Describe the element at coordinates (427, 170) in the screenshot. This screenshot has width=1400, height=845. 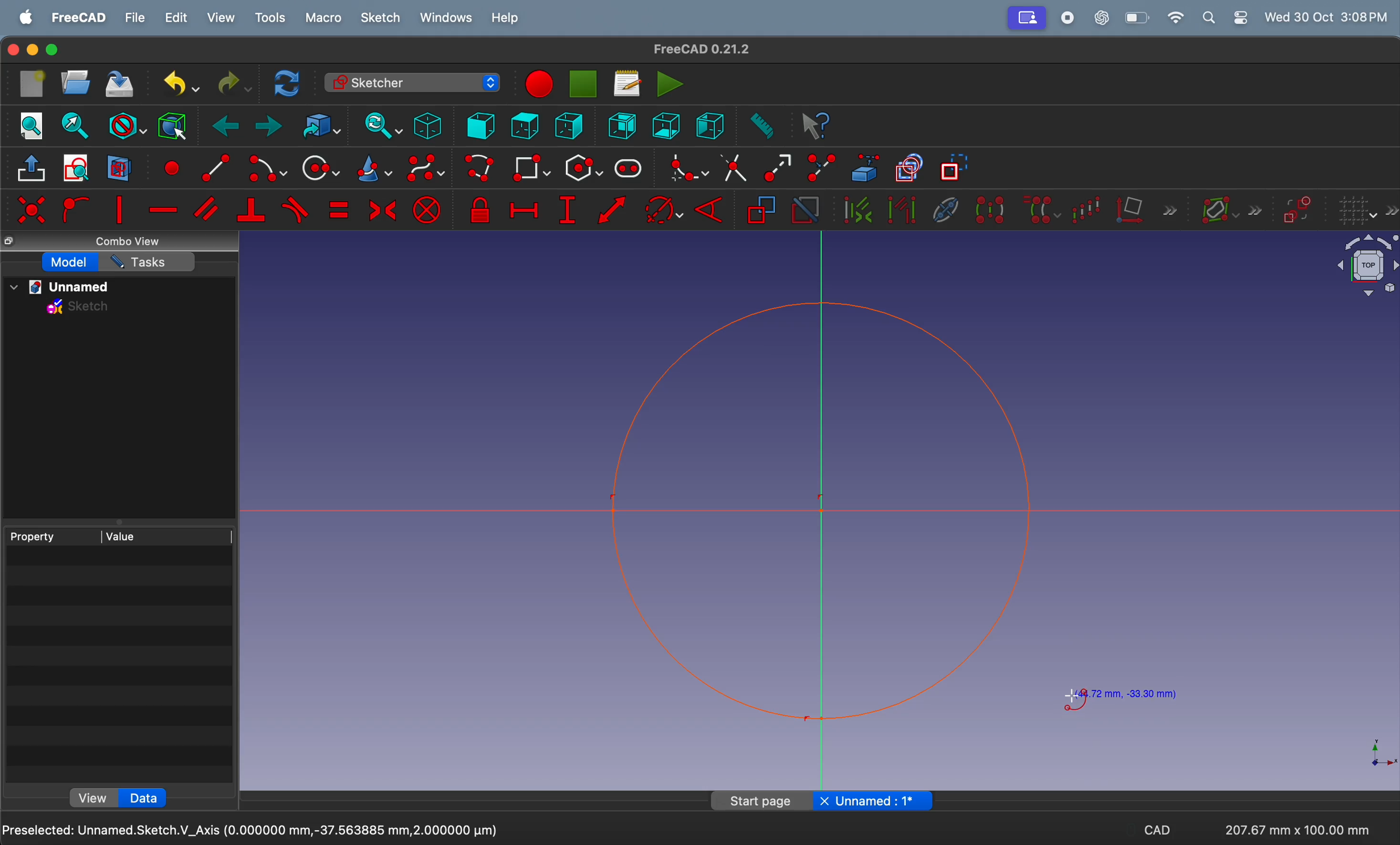
I see `create b spline` at that location.